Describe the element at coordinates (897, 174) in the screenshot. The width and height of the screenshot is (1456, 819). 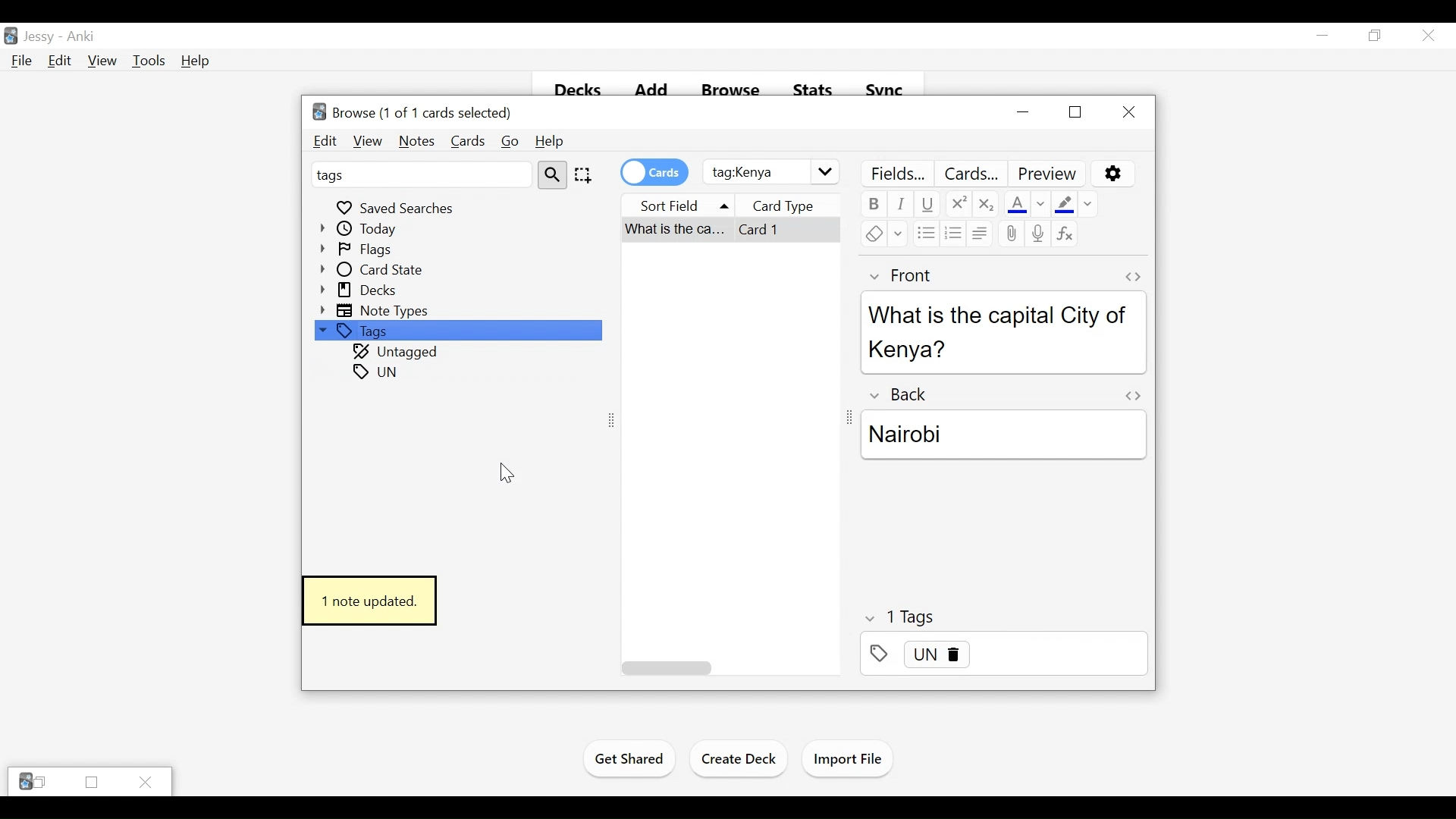
I see `Customize Field` at that location.